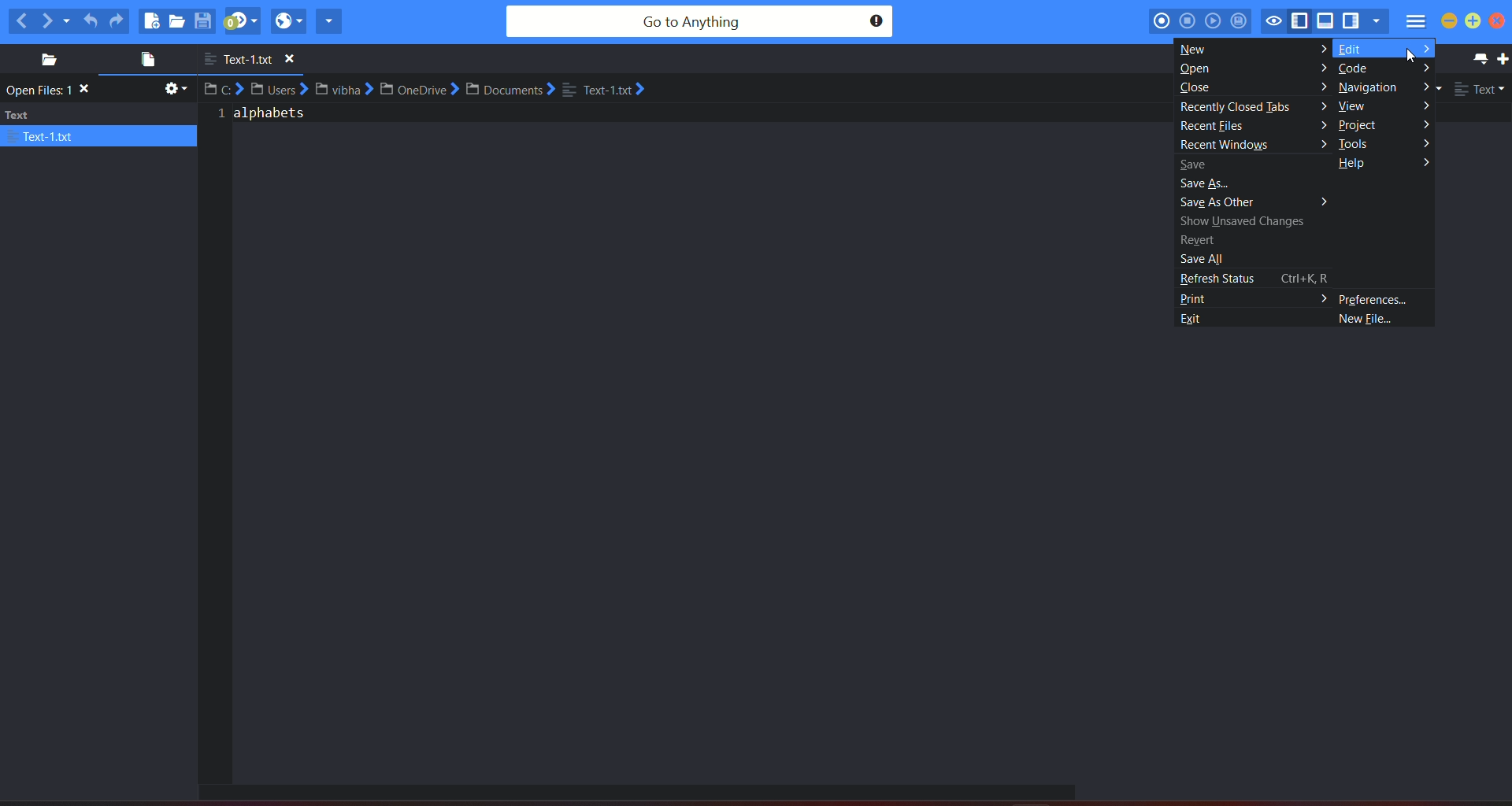 The image size is (1512, 806). Describe the element at coordinates (1480, 91) in the screenshot. I see `file type` at that location.